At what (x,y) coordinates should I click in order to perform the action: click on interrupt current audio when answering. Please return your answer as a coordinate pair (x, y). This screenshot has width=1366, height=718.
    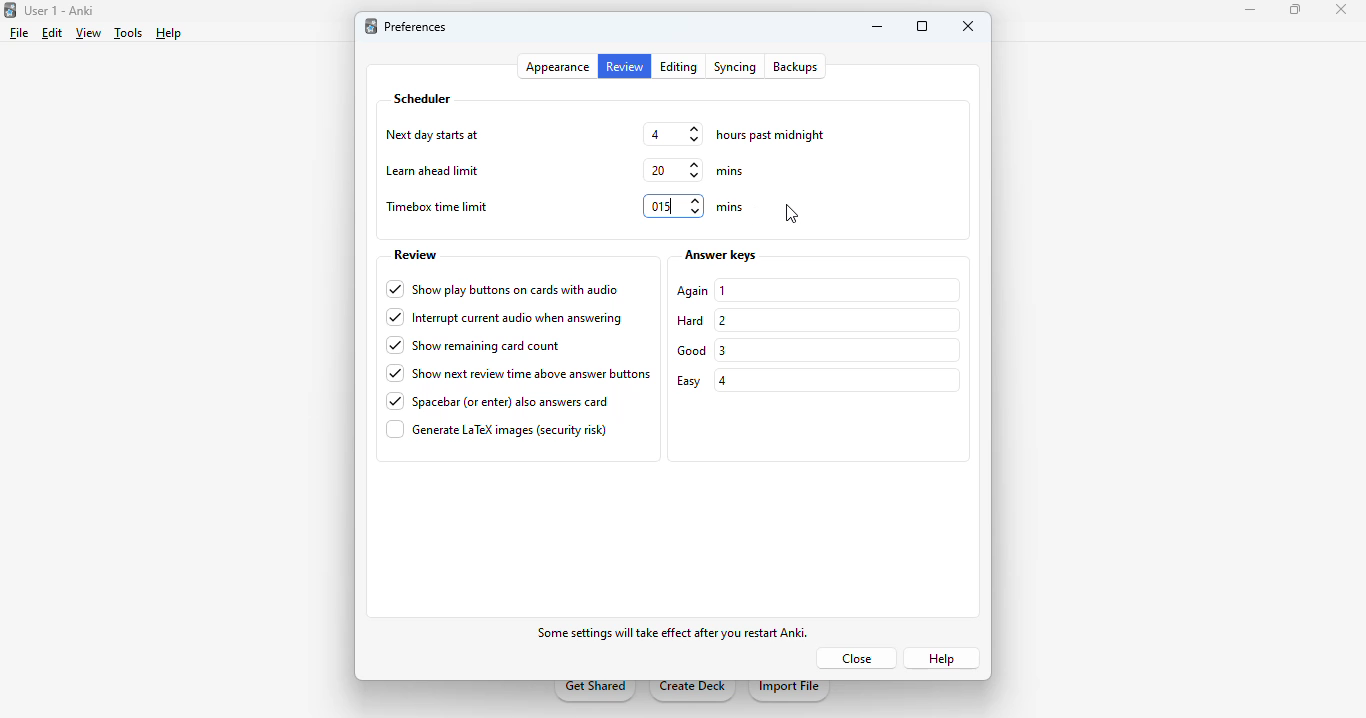
    Looking at the image, I should click on (506, 317).